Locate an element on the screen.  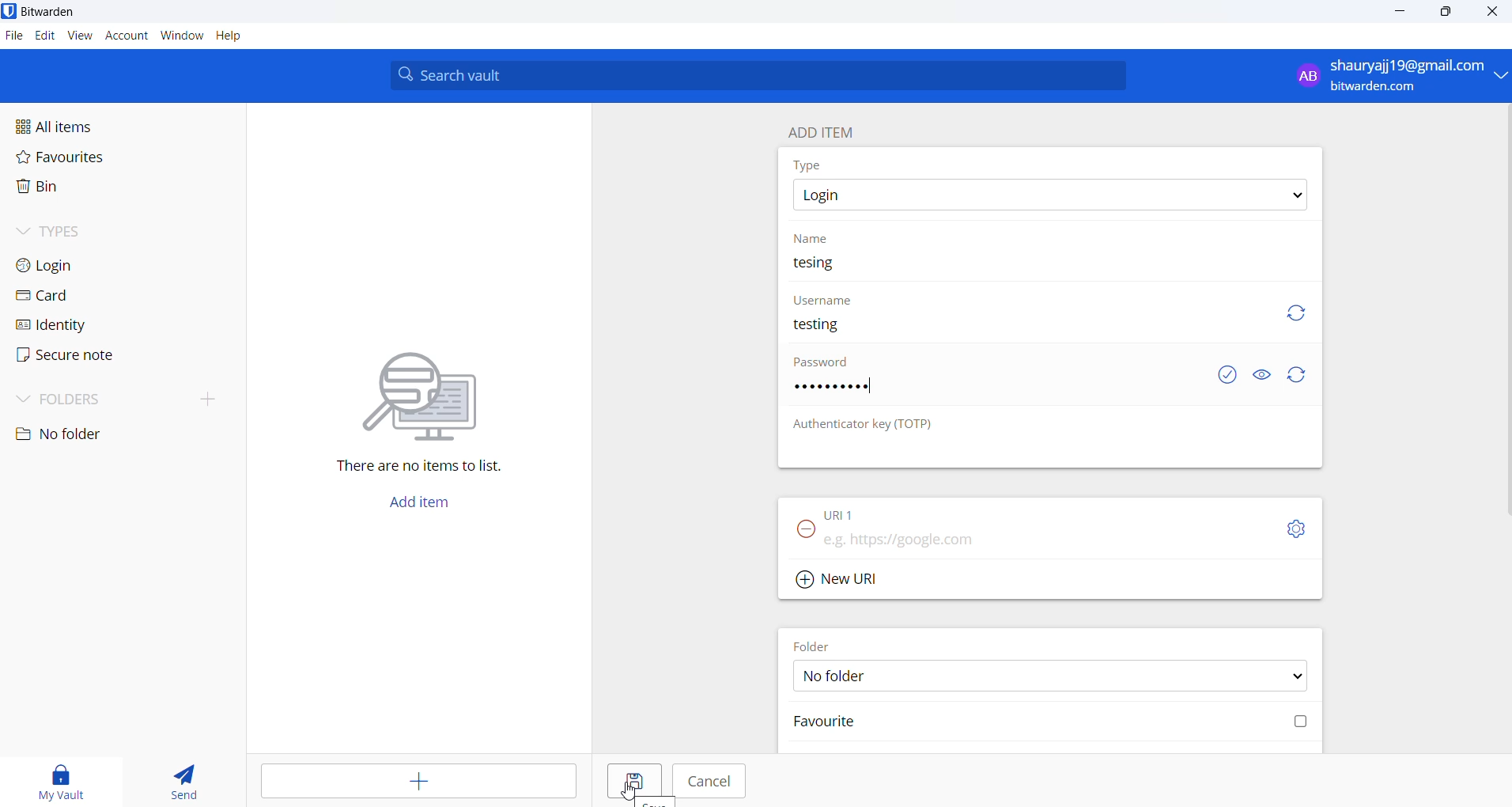
Username  is located at coordinates (825, 300).